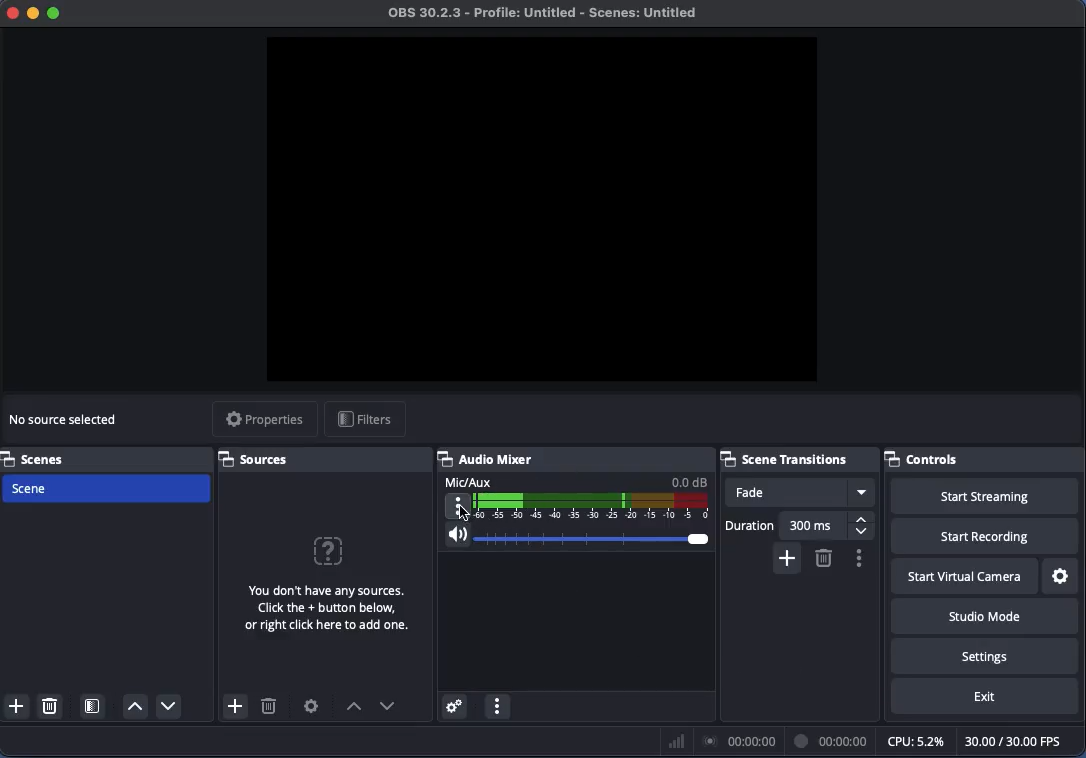 The height and width of the screenshot is (758, 1086). I want to click on Scene transitions, so click(796, 457).